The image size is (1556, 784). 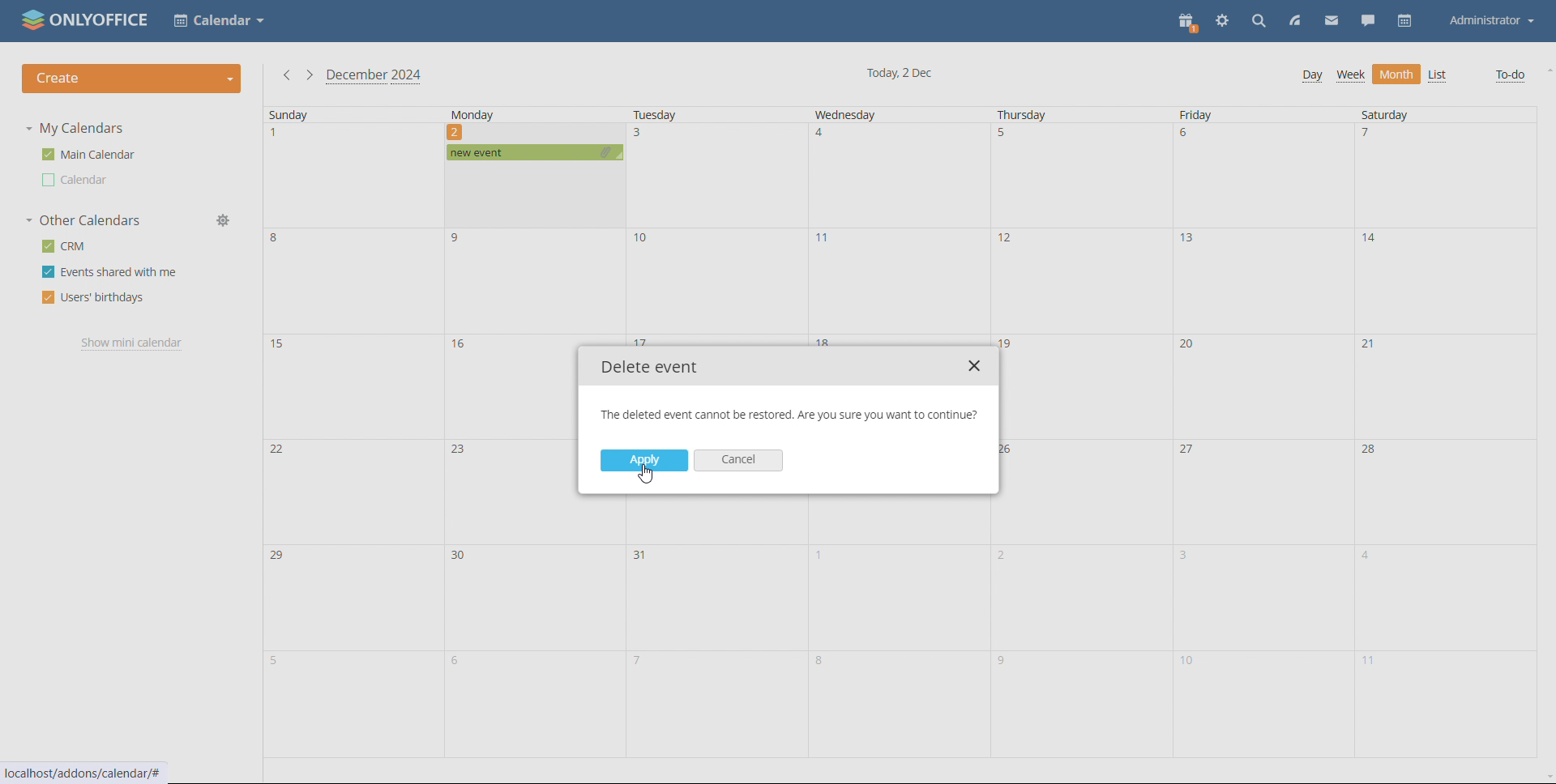 What do you see at coordinates (276, 660) in the screenshot?
I see `5` at bounding box center [276, 660].